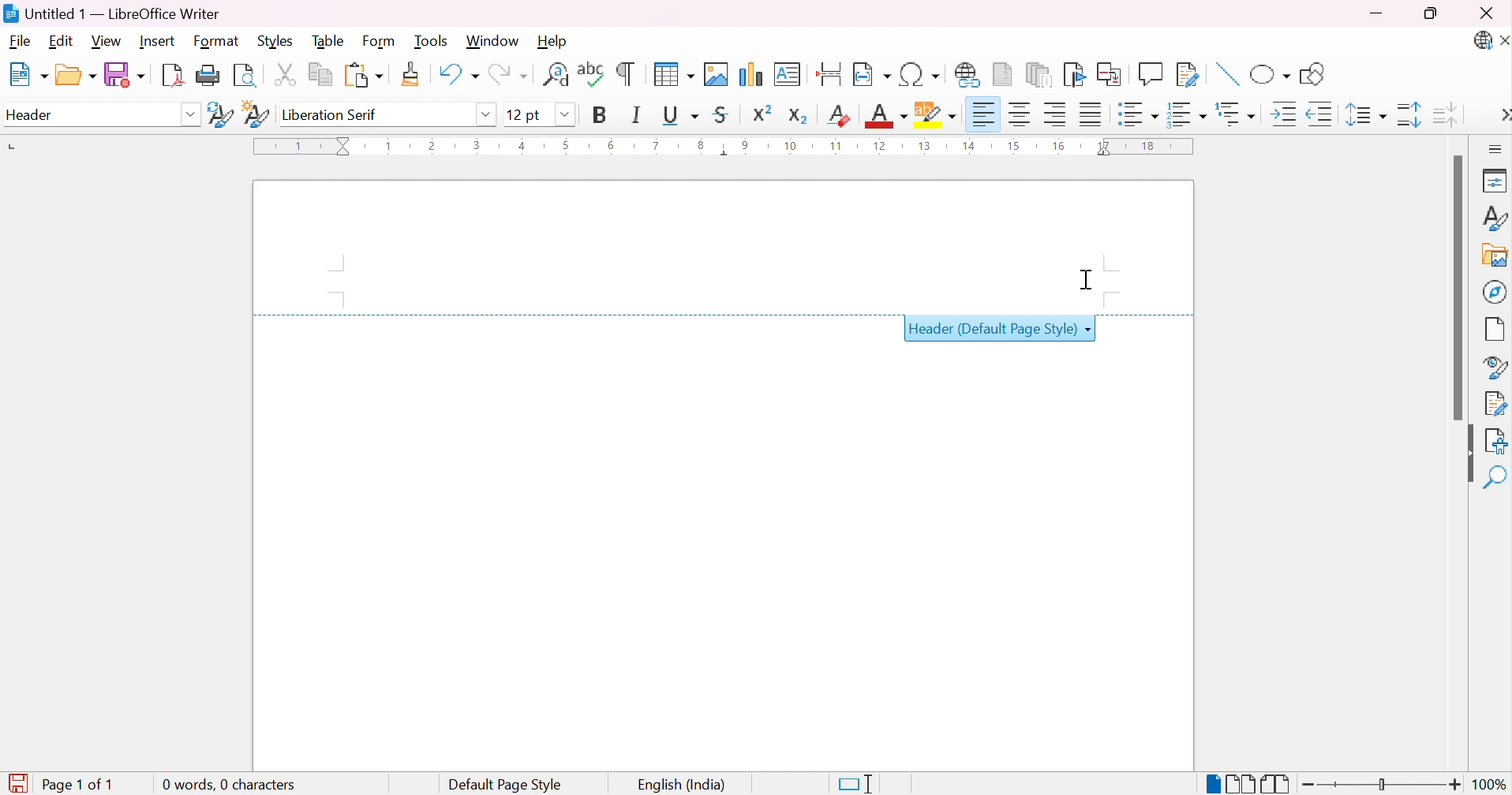  Describe the element at coordinates (761, 115) in the screenshot. I see `Superscript` at that location.